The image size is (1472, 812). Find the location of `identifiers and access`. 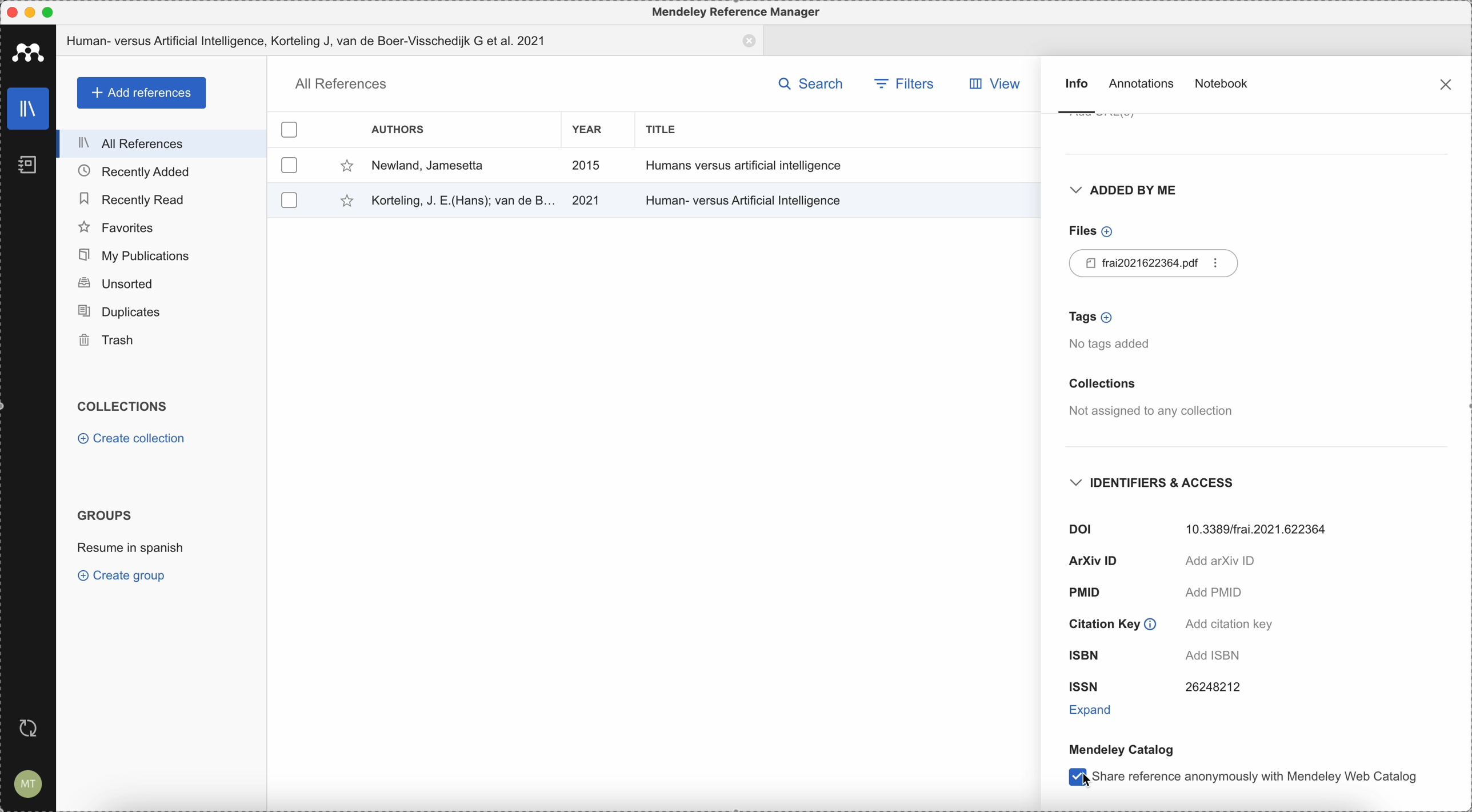

identifiers and access is located at coordinates (1158, 483).